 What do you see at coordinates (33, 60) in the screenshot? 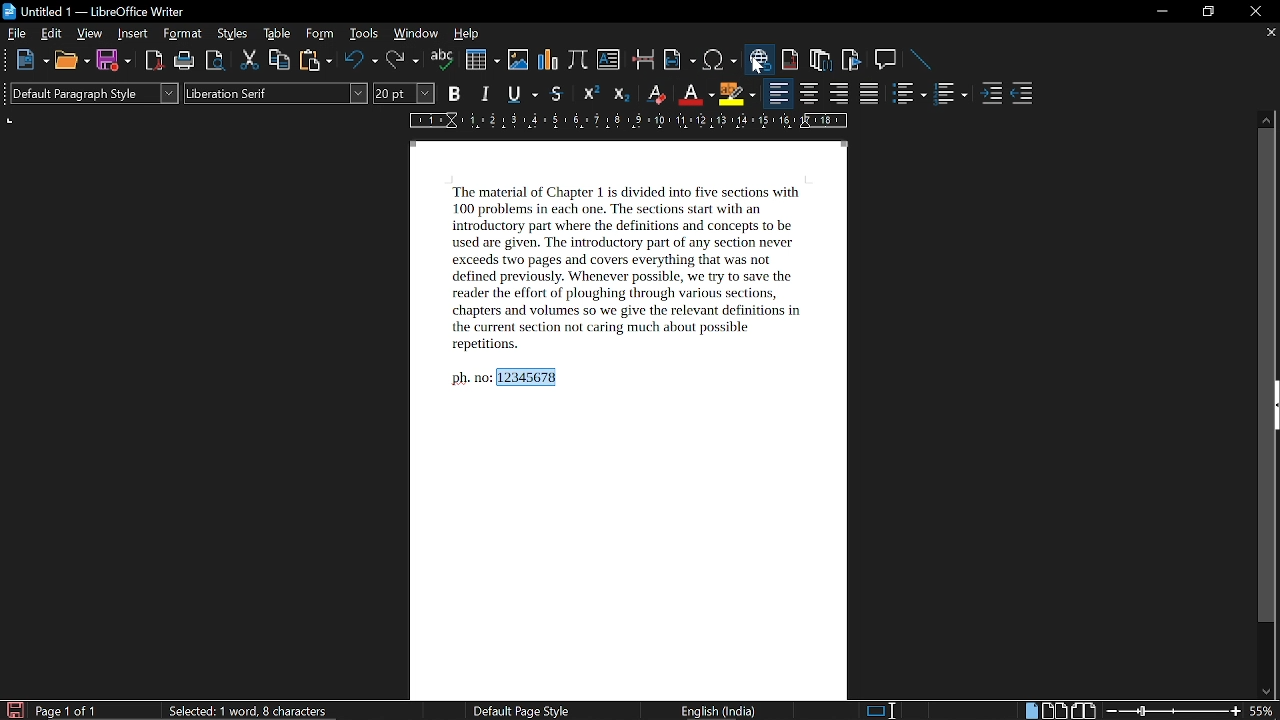
I see `new` at bounding box center [33, 60].